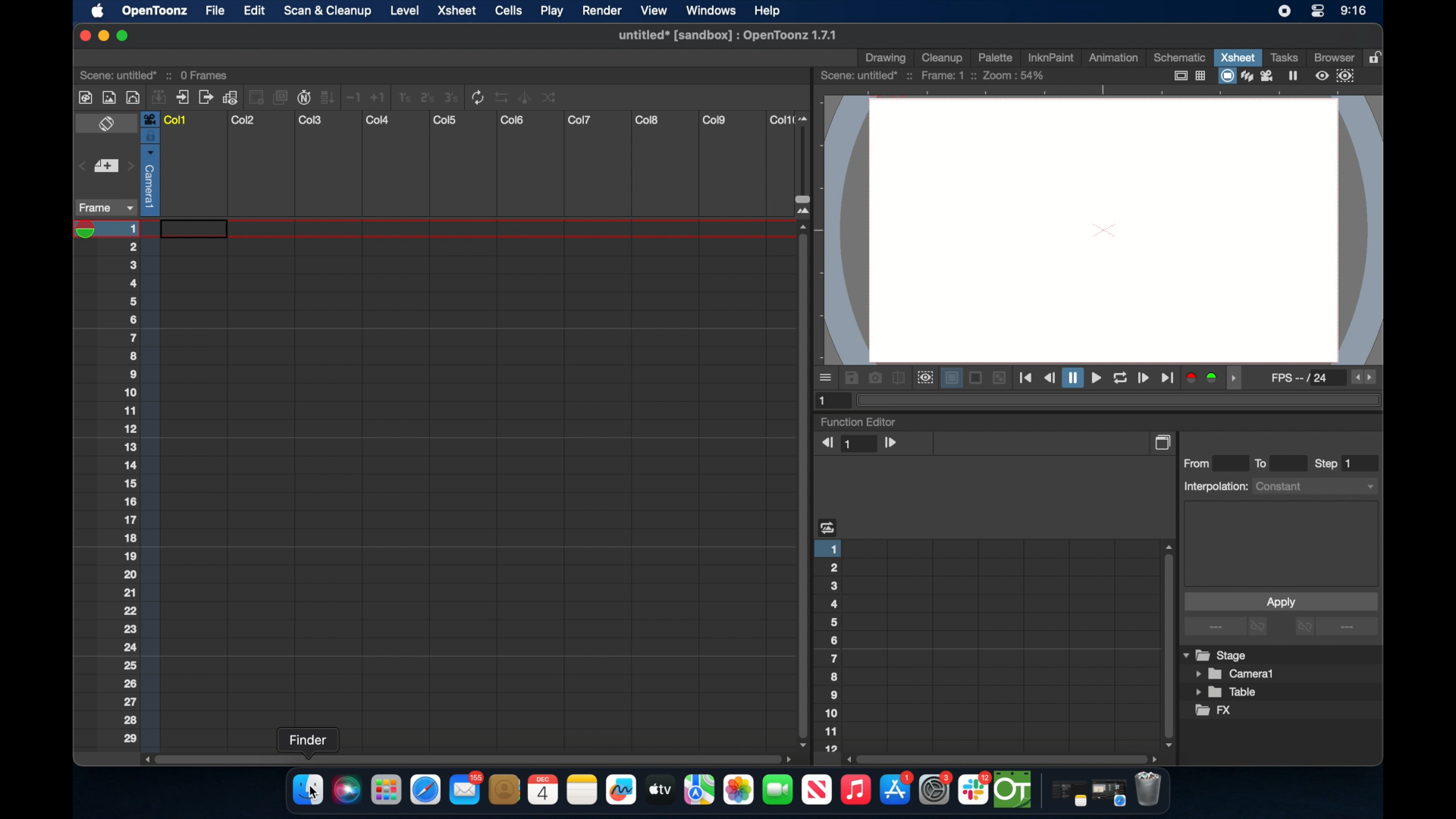  What do you see at coordinates (1227, 693) in the screenshot?
I see `table` at bounding box center [1227, 693].